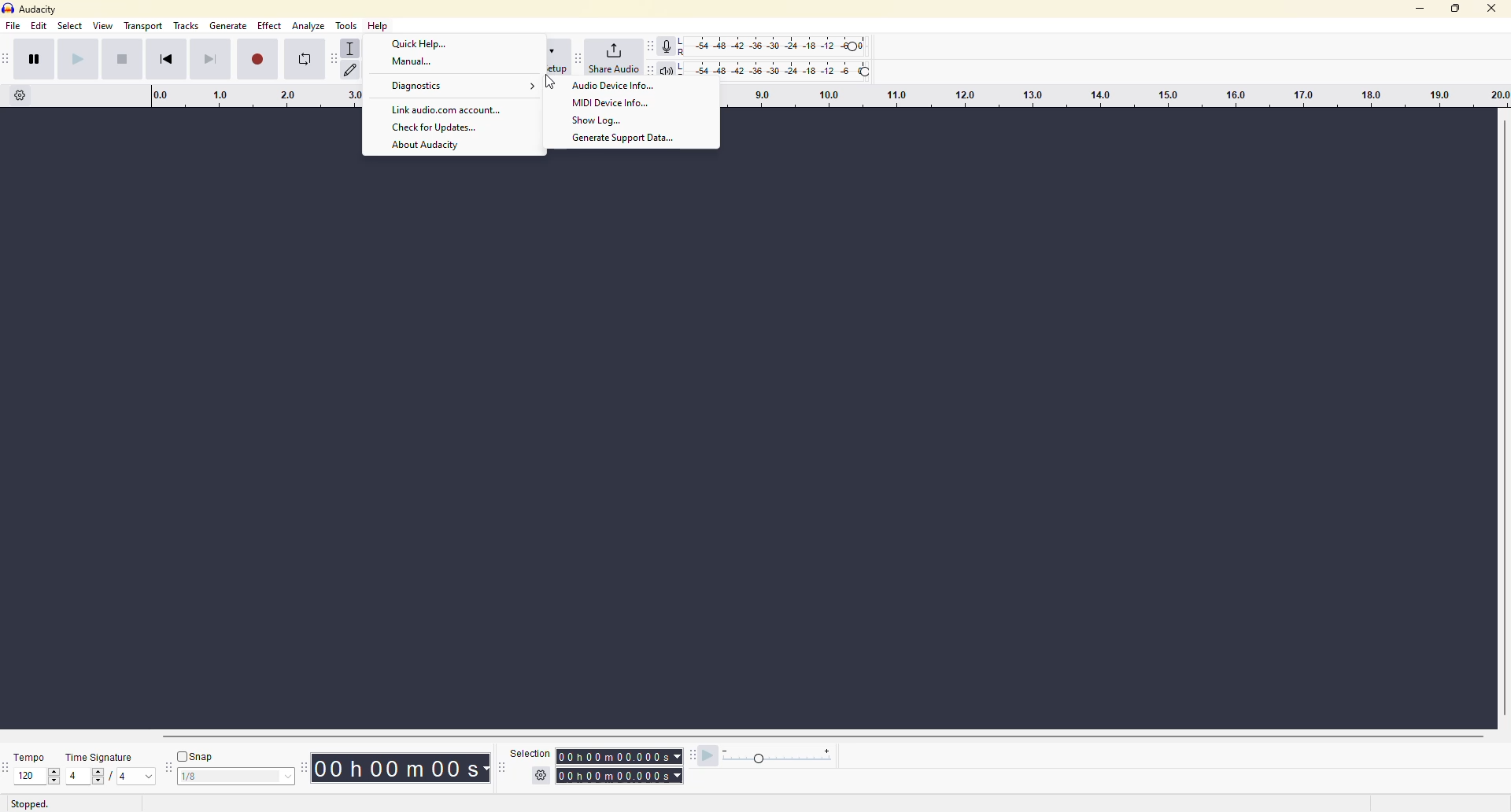 Image resolution: width=1511 pixels, height=812 pixels. I want to click on temps, so click(25, 753).